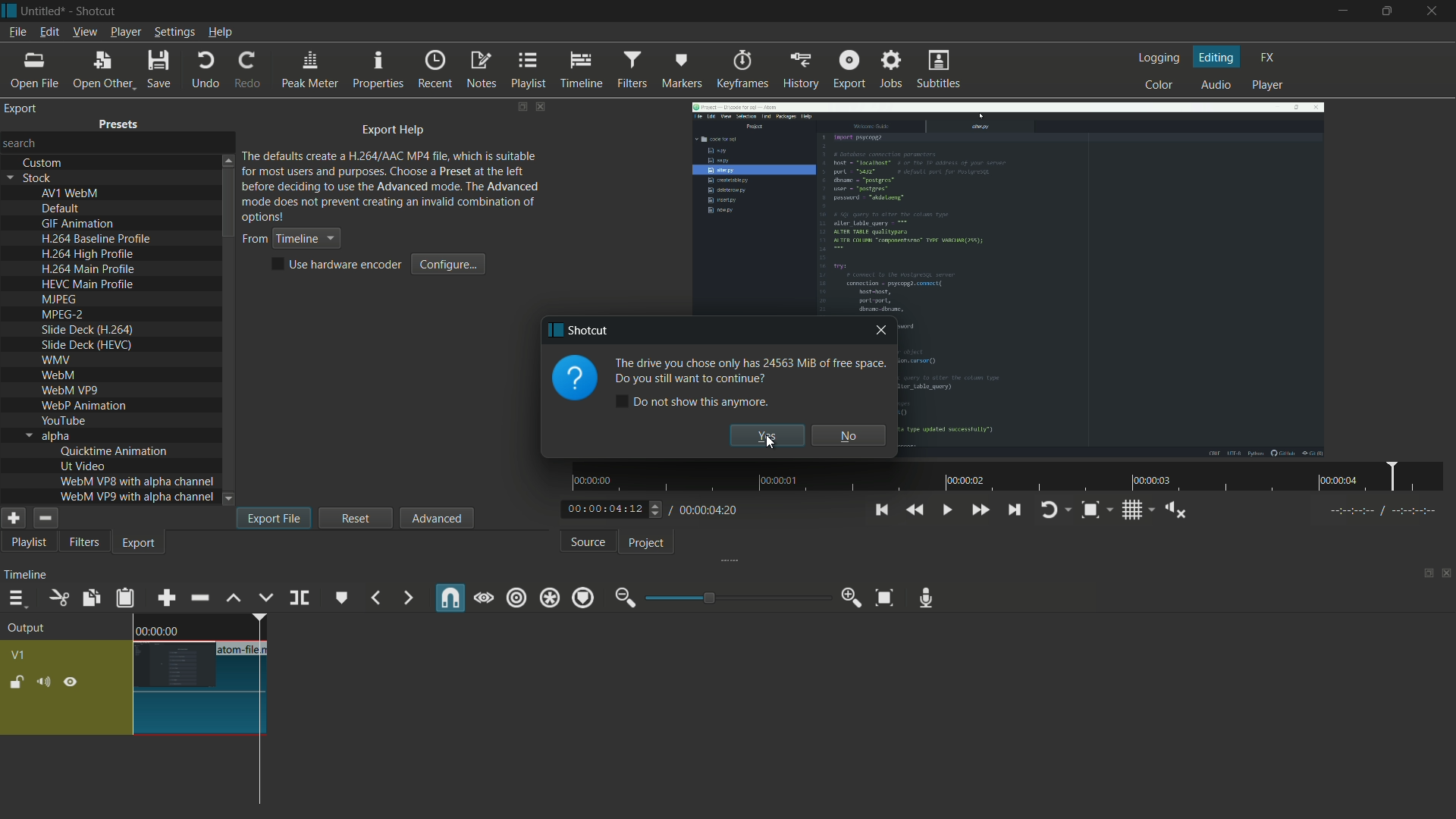 Image resolution: width=1456 pixels, height=819 pixels. What do you see at coordinates (274, 518) in the screenshot?
I see `export file` at bounding box center [274, 518].